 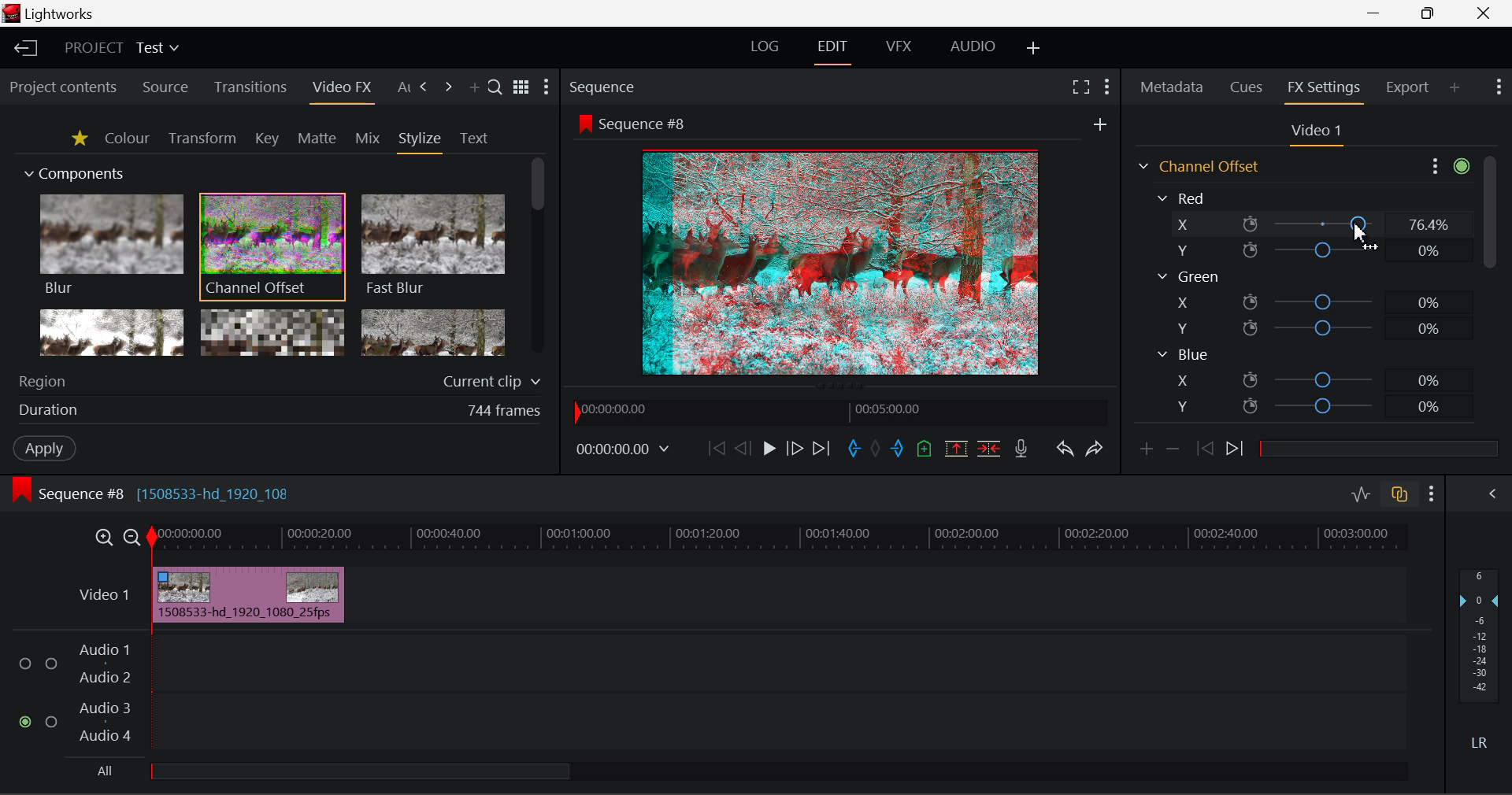 I want to click on Add Panel, so click(x=1454, y=88).